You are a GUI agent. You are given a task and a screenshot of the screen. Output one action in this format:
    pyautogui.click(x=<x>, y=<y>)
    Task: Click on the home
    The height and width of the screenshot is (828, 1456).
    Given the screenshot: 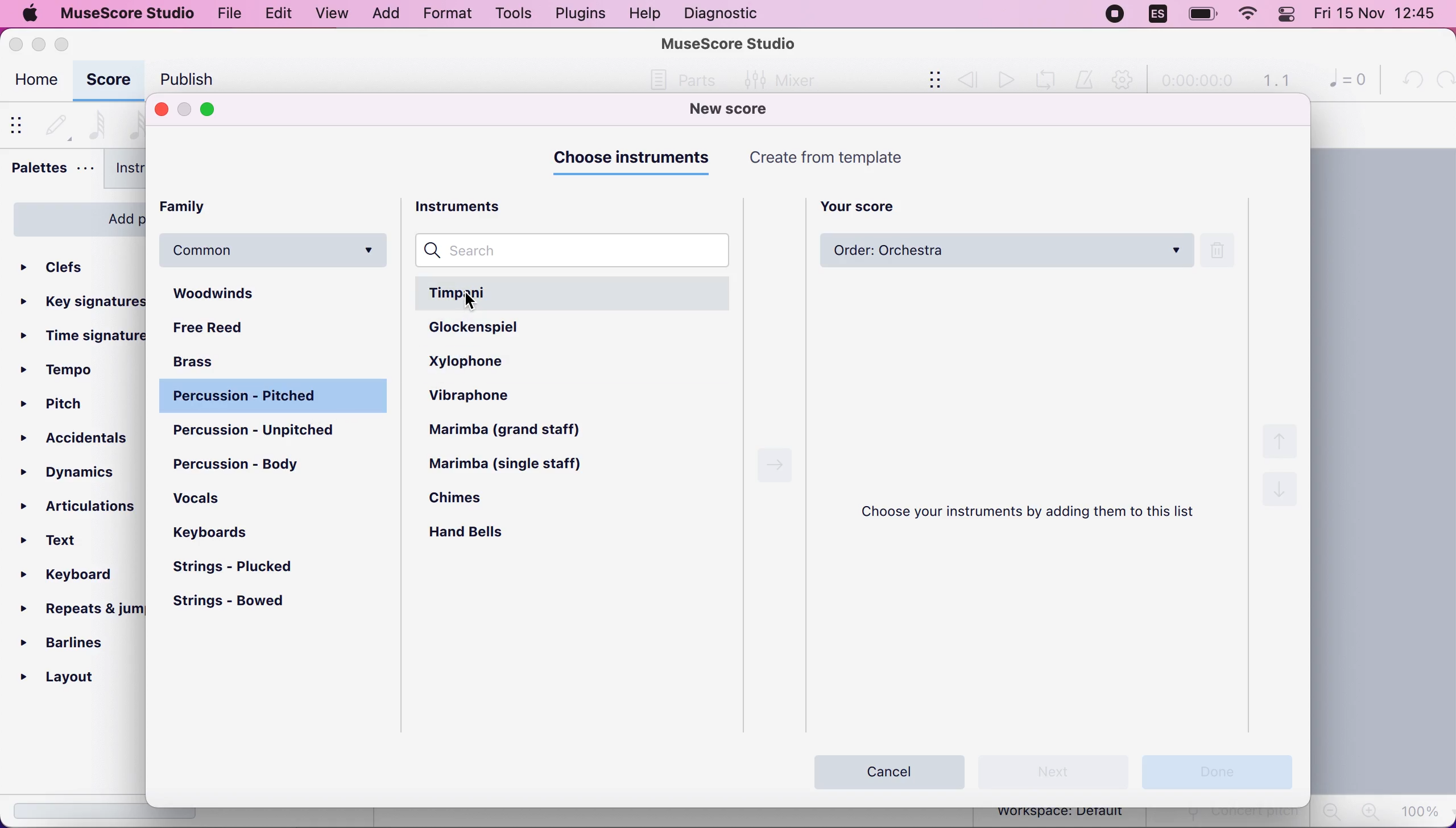 What is the action you would take?
    pyautogui.click(x=35, y=82)
    